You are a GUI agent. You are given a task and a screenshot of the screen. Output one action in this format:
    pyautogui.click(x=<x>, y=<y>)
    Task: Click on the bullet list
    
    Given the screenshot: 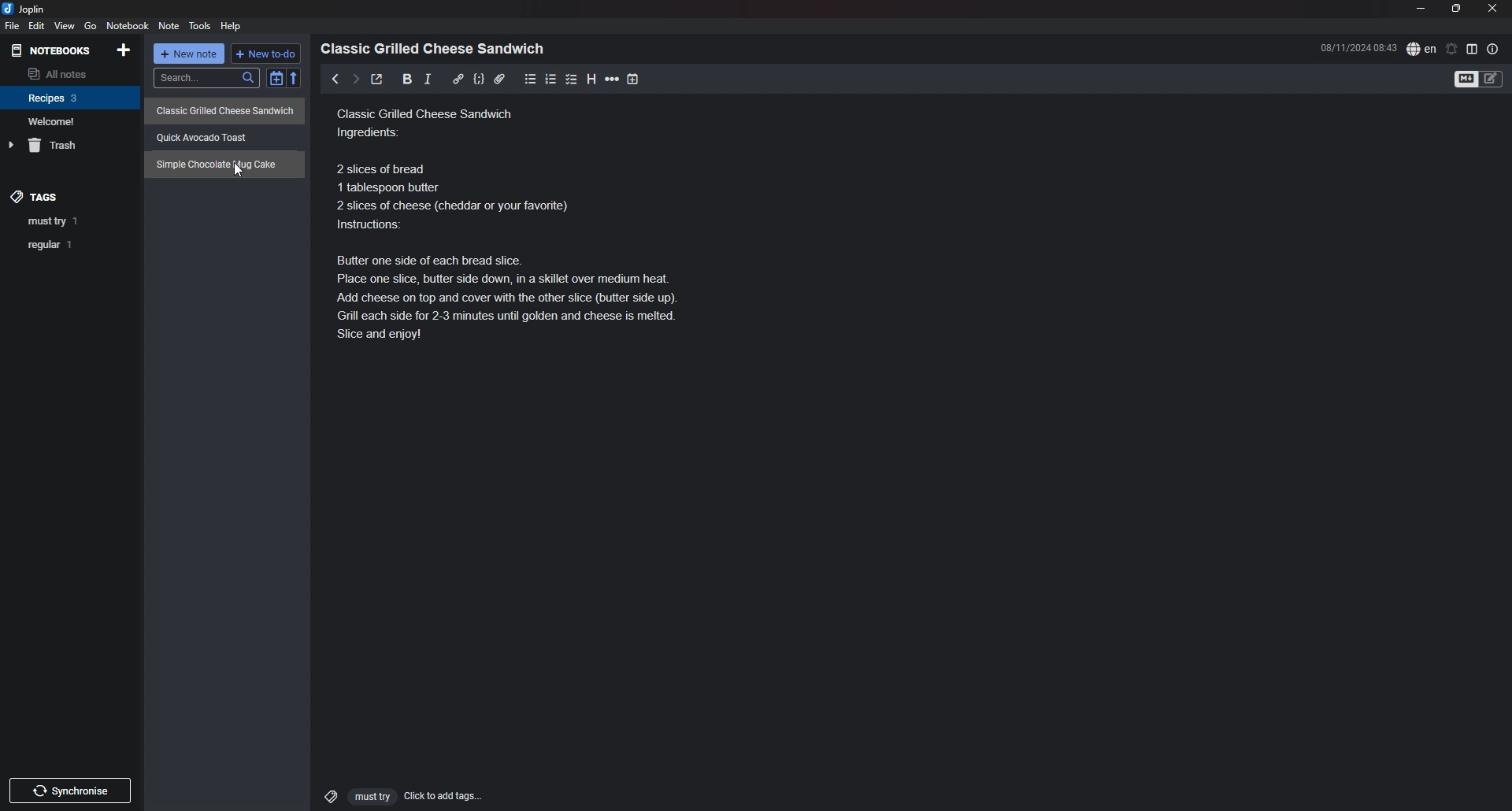 What is the action you would take?
    pyautogui.click(x=531, y=79)
    